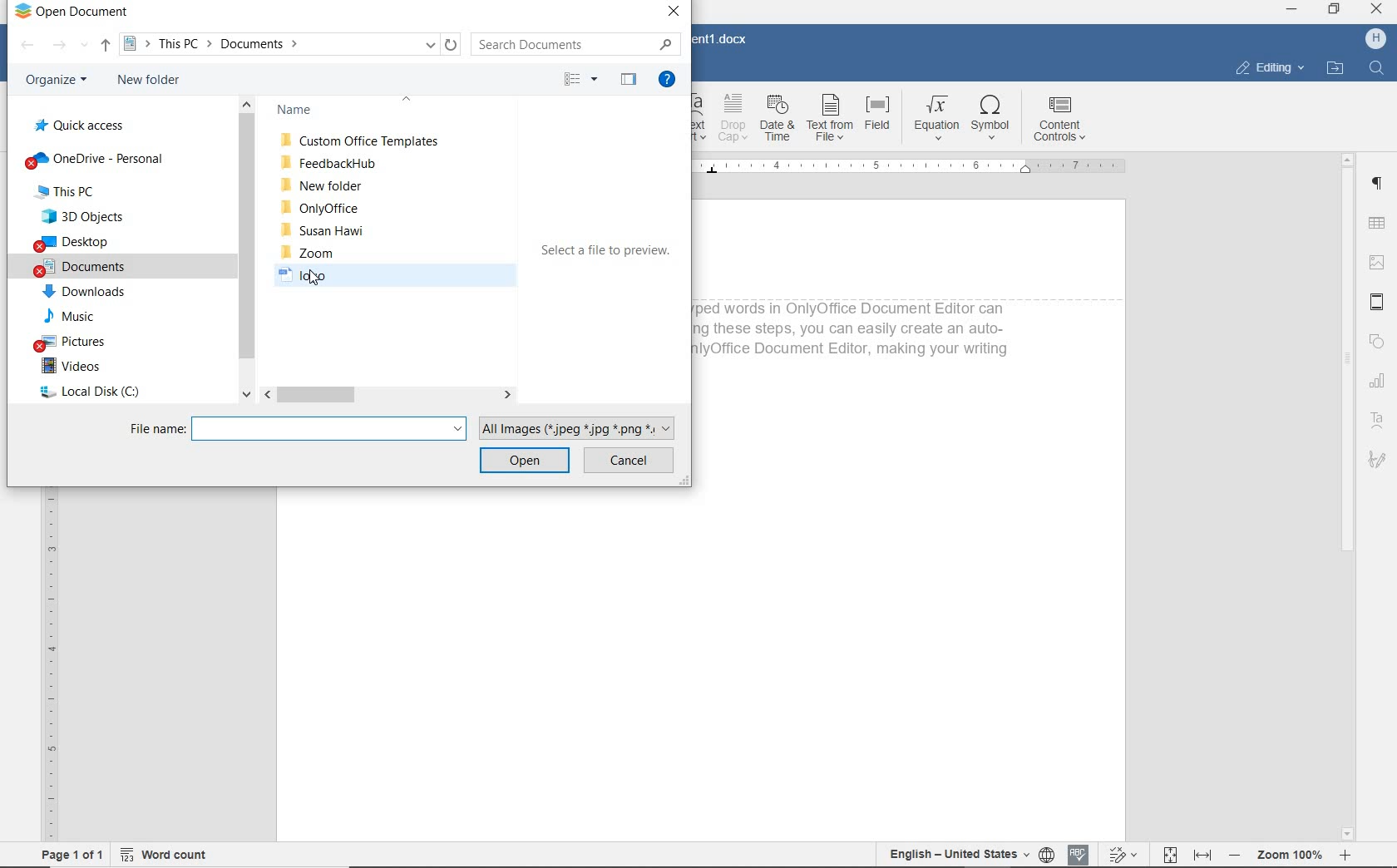 This screenshot has width=1397, height=868. Describe the element at coordinates (1378, 420) in the screenshot. I see `text area` at that location.